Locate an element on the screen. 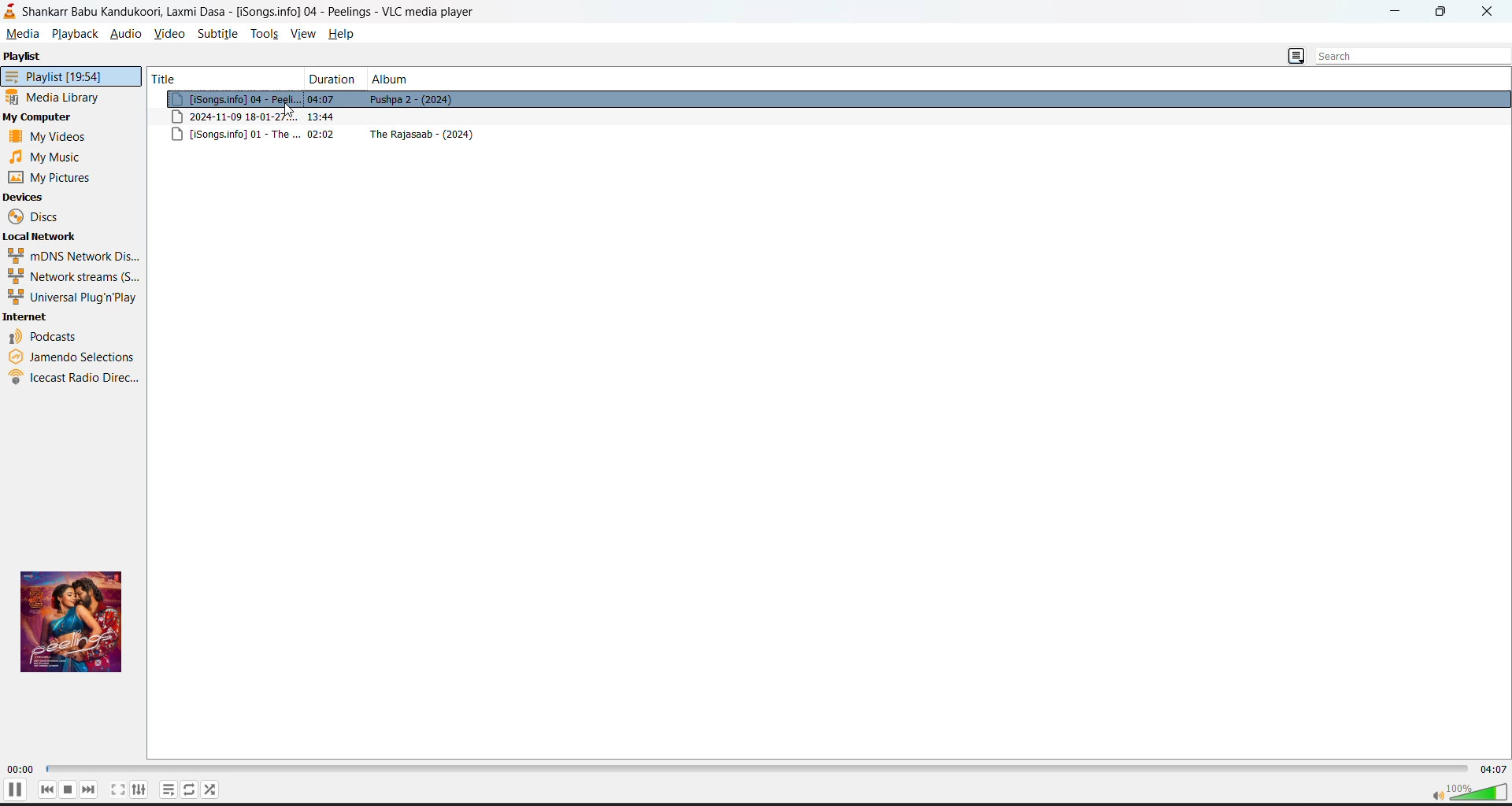  internet is located at coordinates (28, 317).